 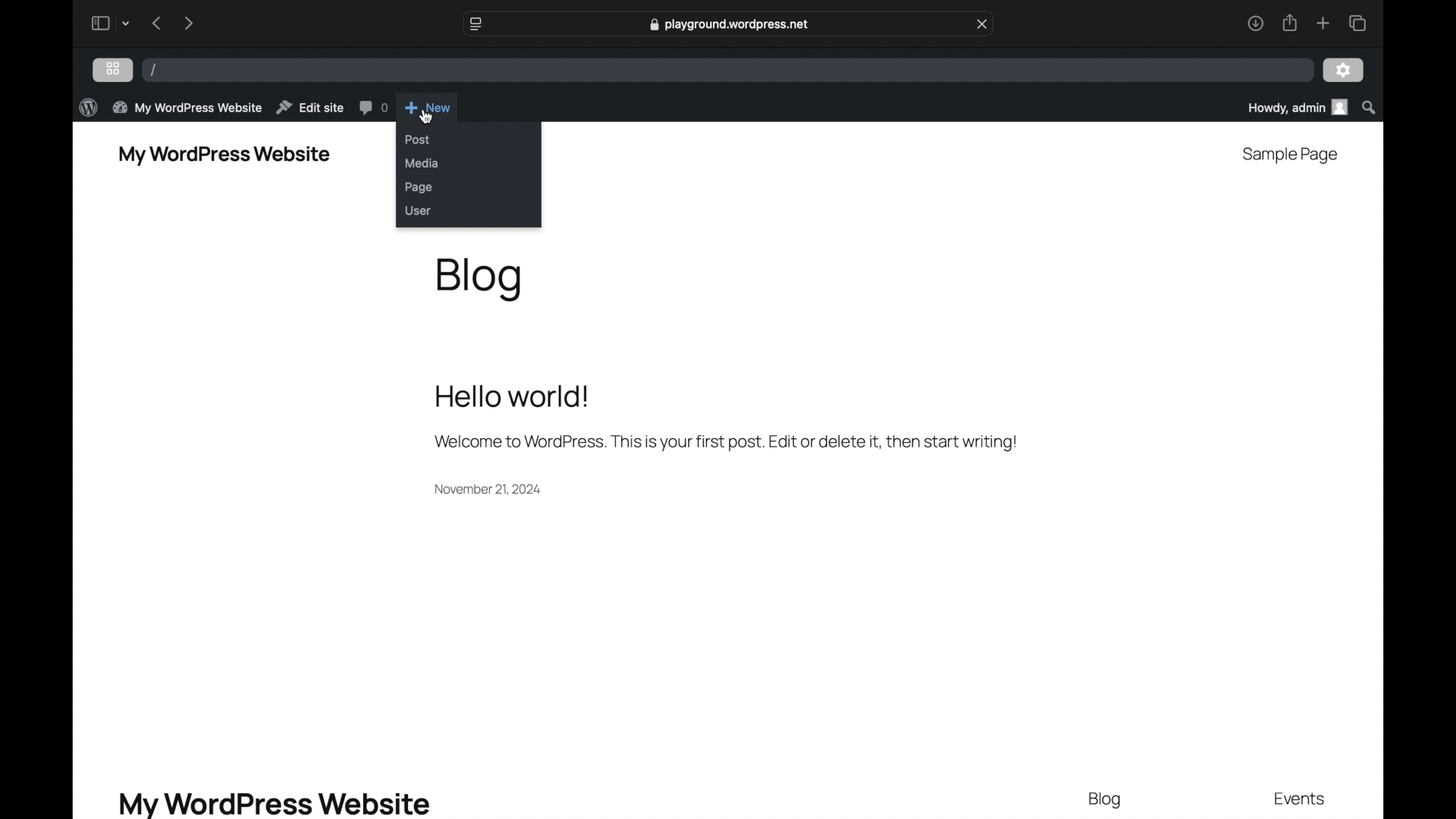 What do you see at coordinates (419, 187) in the screenshot?
I see `page` at bounding box center [419, 187].